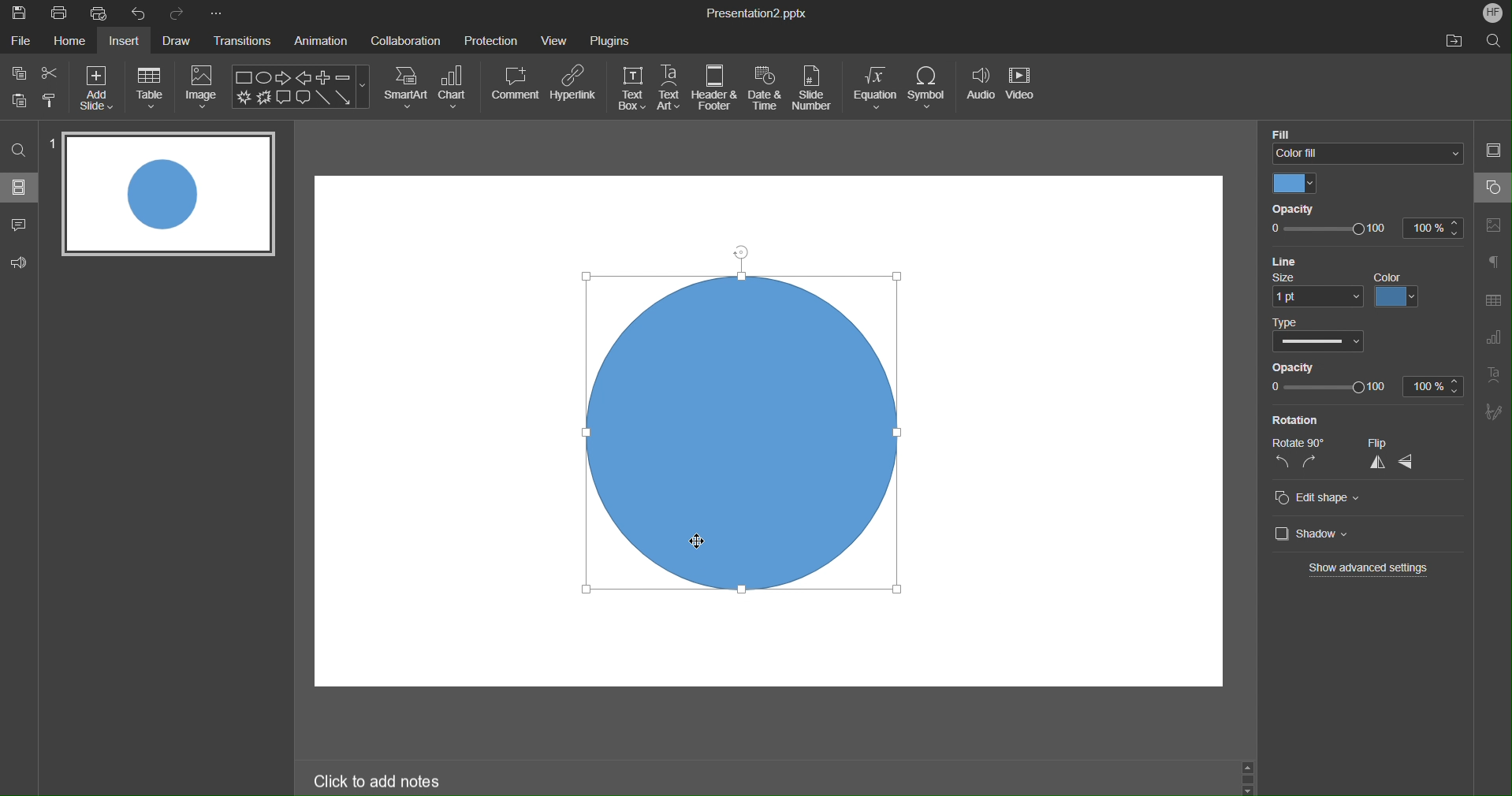 This screenshot has width=1512, height=796. What do you see at coordinates (1295, 260) in the screenshot?
I see `Line Settings` at bounding box center [1295, 260].